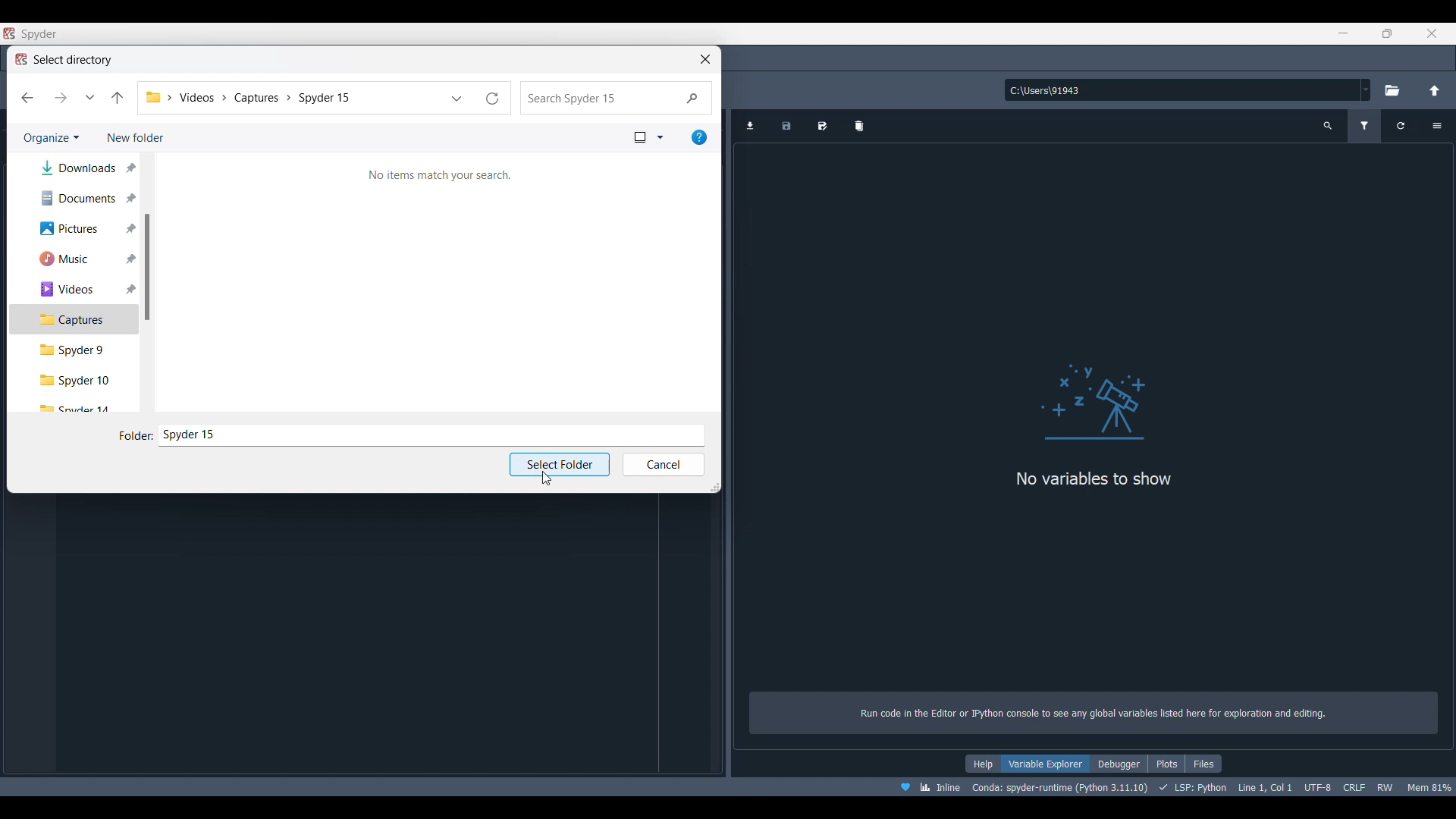 The width and height of the screenshot is (1456, 819). I want to click on Variable explorer, so click(1046, 764).